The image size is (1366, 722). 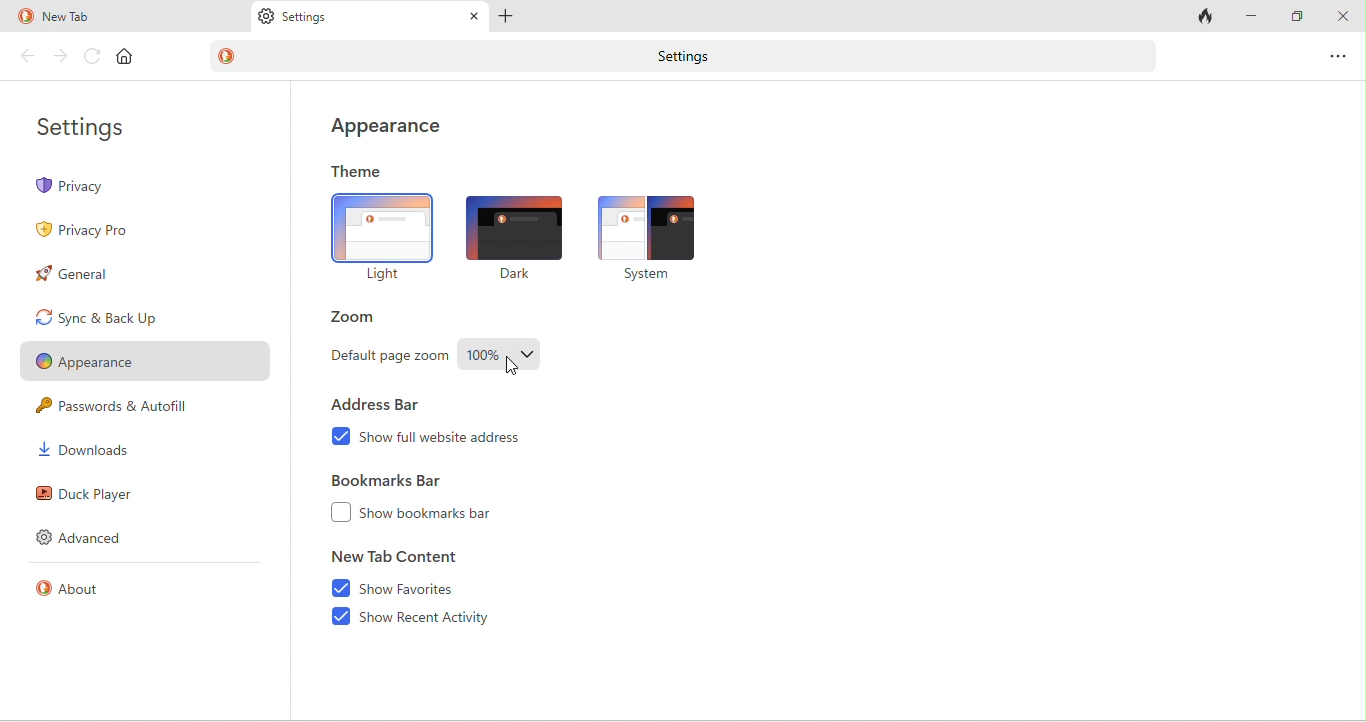 What do you see at coordinates (501, 357) in the screenshot?
I see `page zoom- 100%` at bounding box center [501, 357].